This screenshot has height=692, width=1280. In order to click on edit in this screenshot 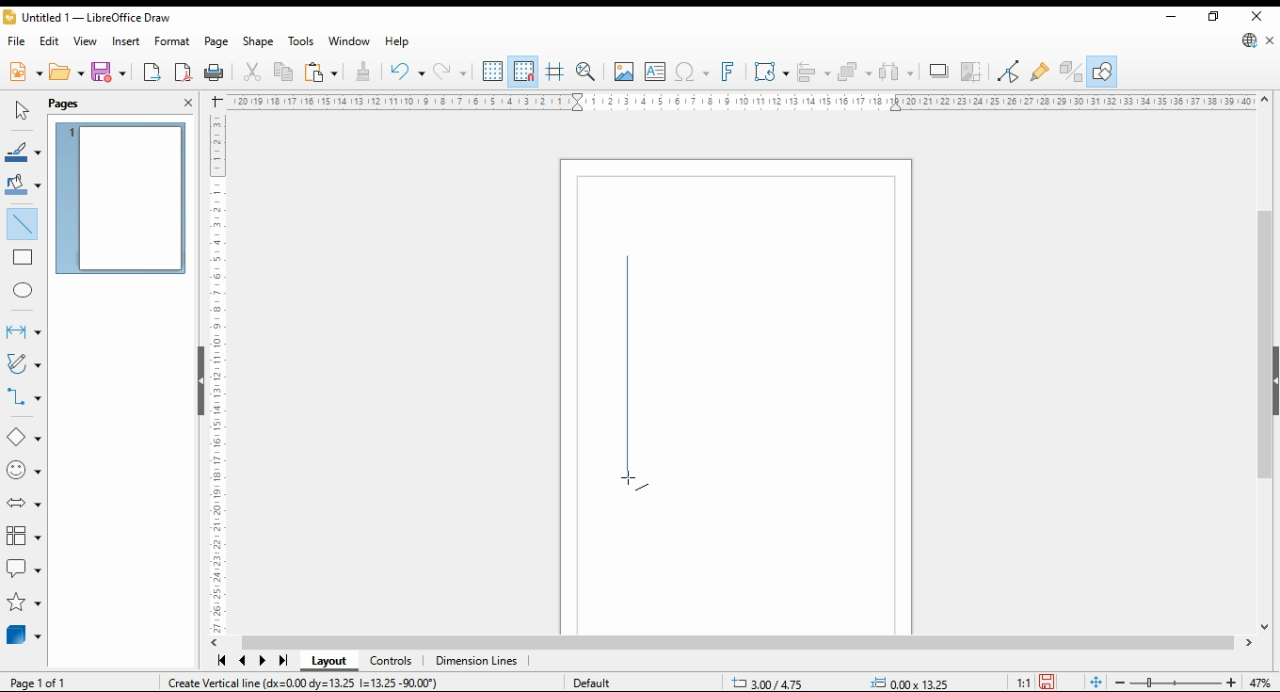, I will do `click(50, 40)`.